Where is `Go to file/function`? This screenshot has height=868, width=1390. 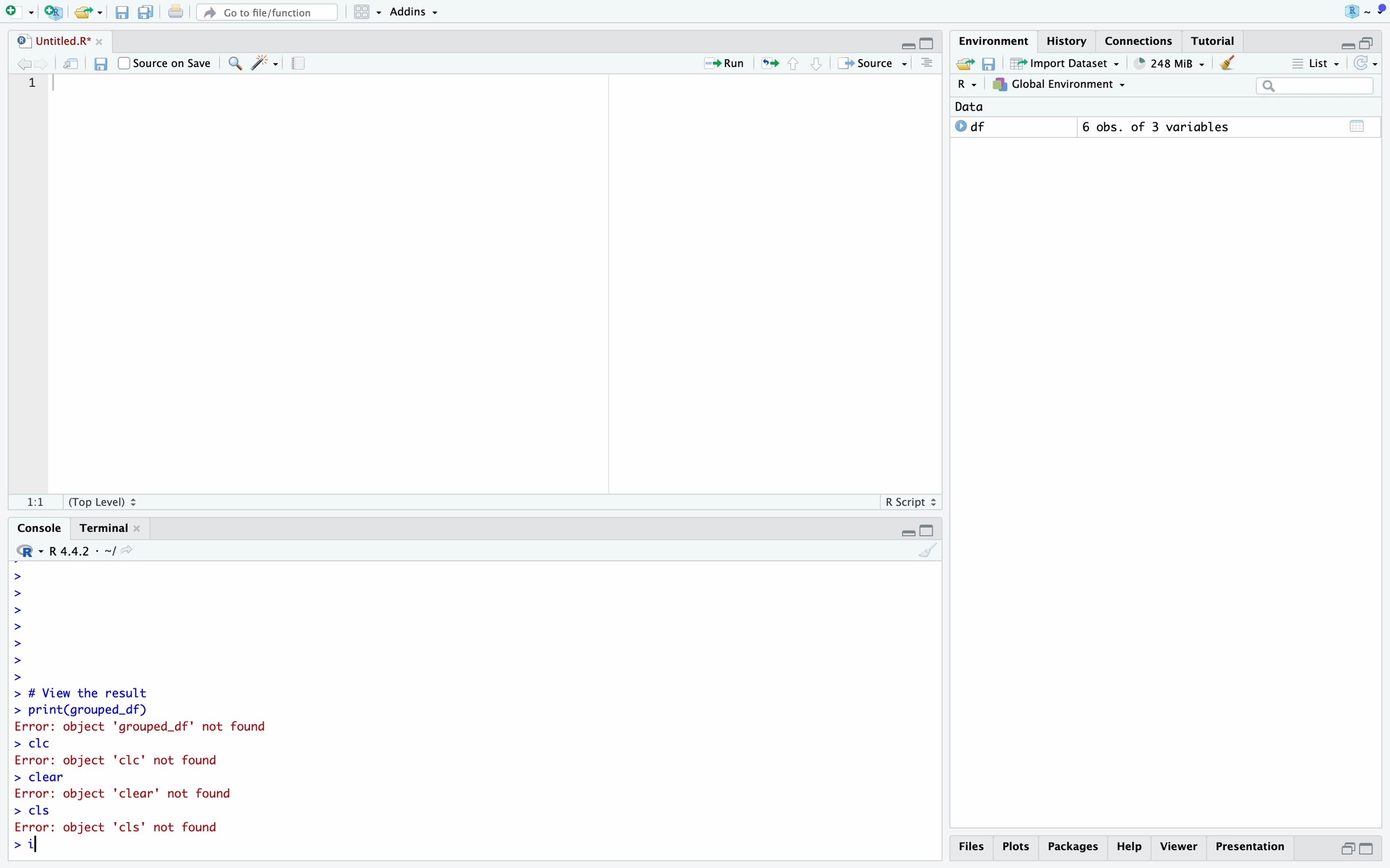
Go to file/function is located at coordinates (265, 13).